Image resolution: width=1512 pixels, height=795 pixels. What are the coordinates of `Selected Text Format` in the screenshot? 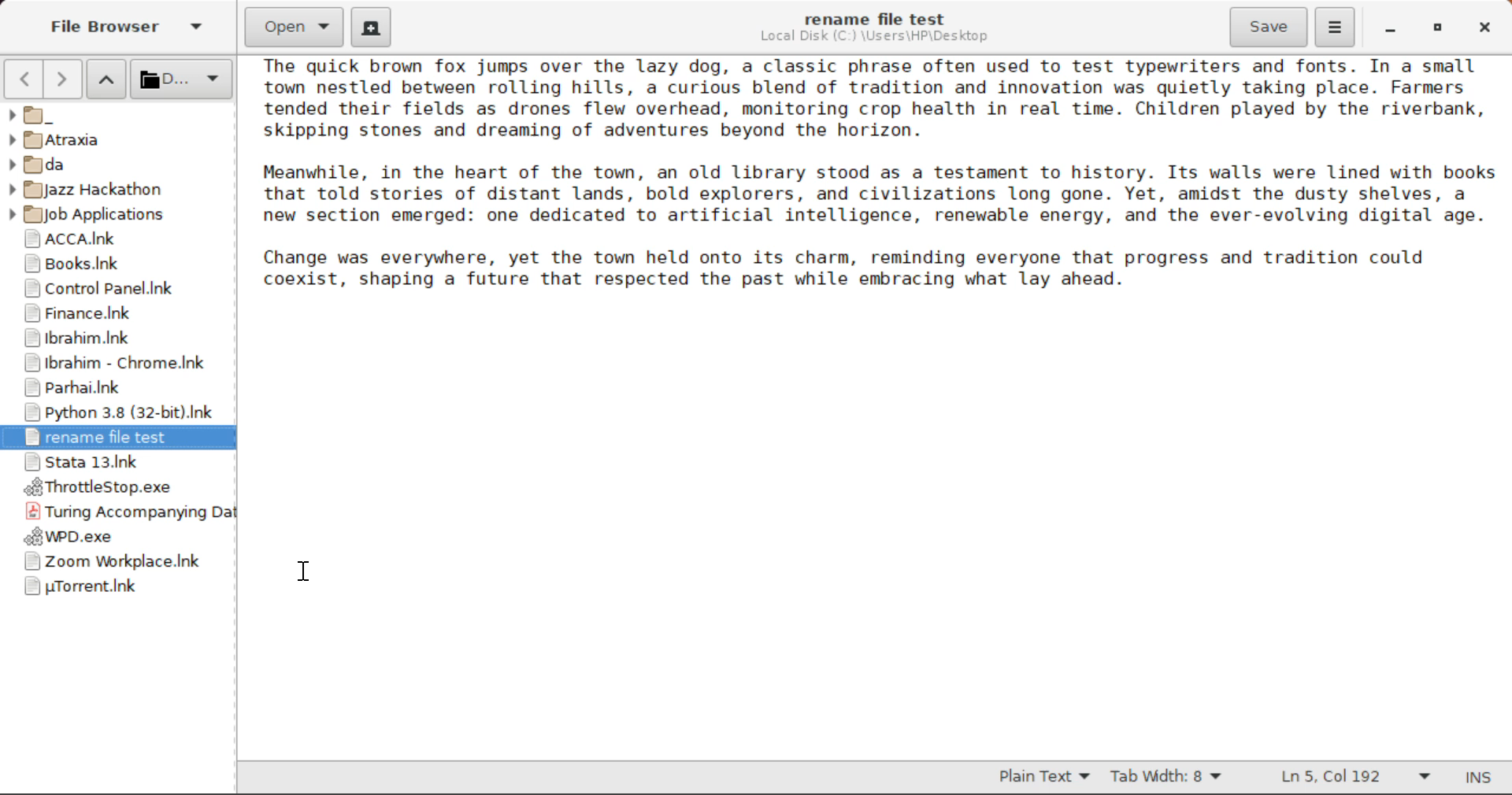 It's located at (1045, 776).